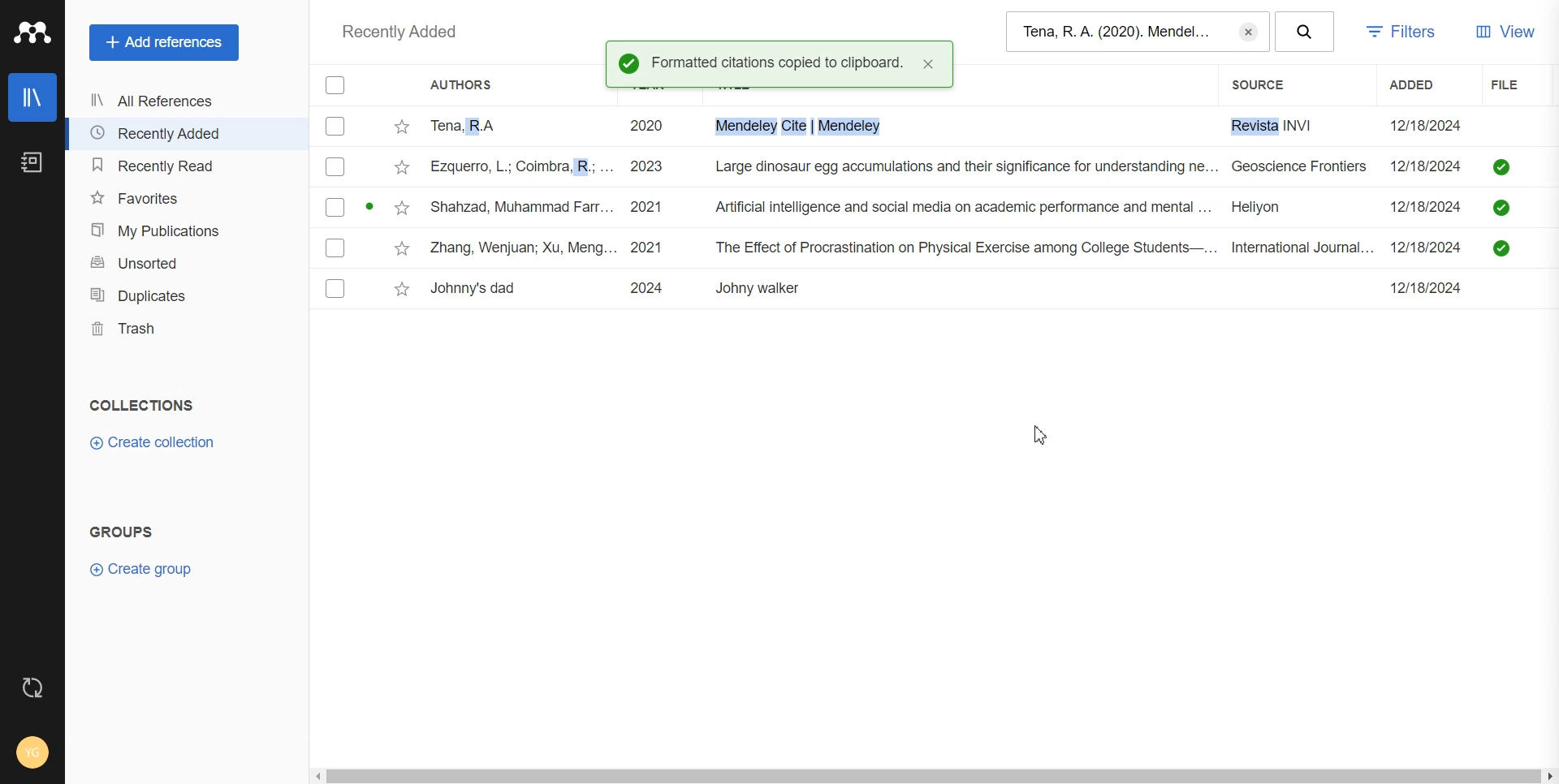  Describe the element at coordinates (1268, 86) in the screenshot. I see `Source` at that location.